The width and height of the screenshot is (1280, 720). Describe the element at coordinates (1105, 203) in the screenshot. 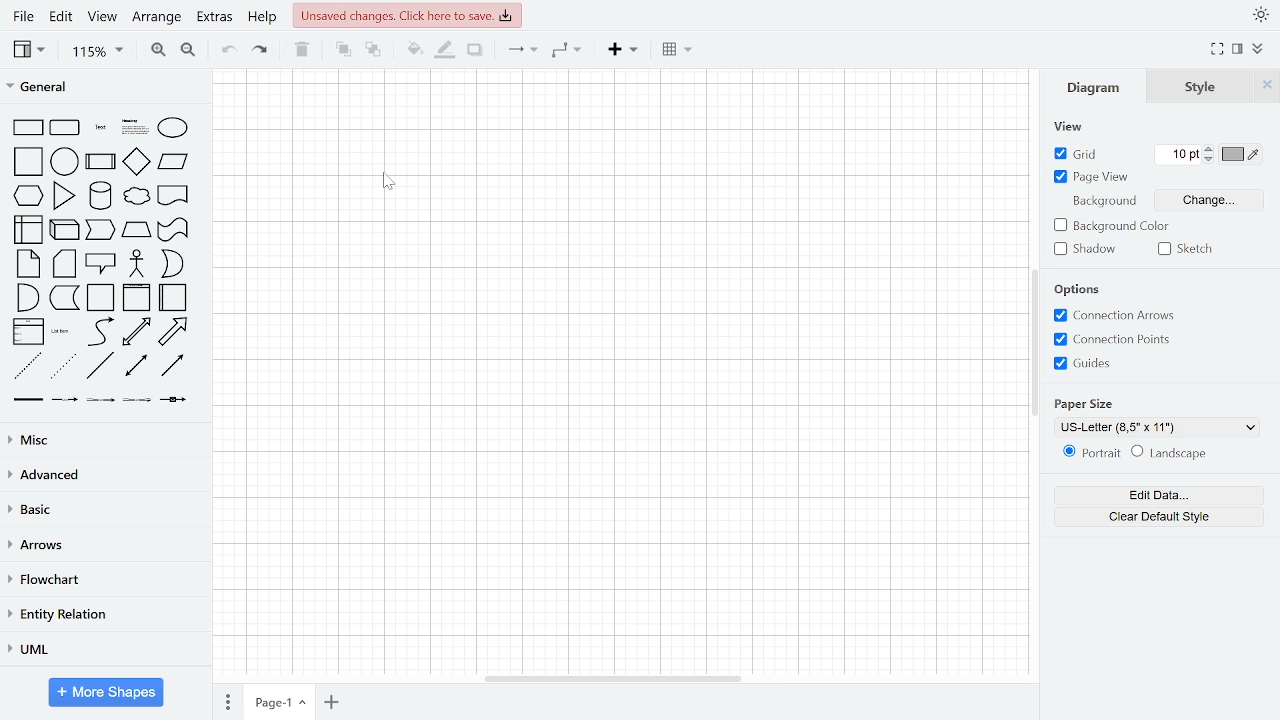

I see `background` at that location.